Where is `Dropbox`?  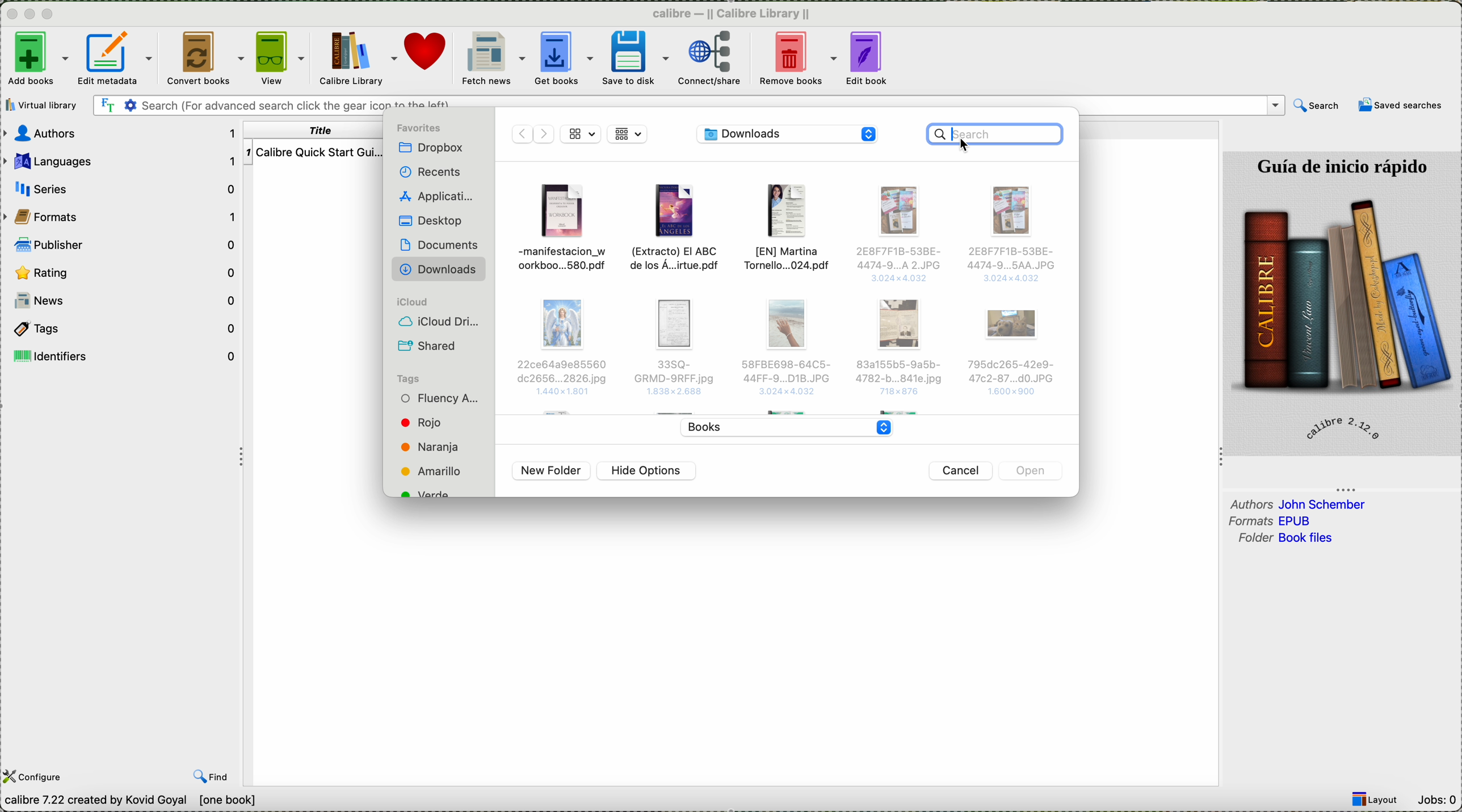
Dropbox is located at coordinates (434, 148).